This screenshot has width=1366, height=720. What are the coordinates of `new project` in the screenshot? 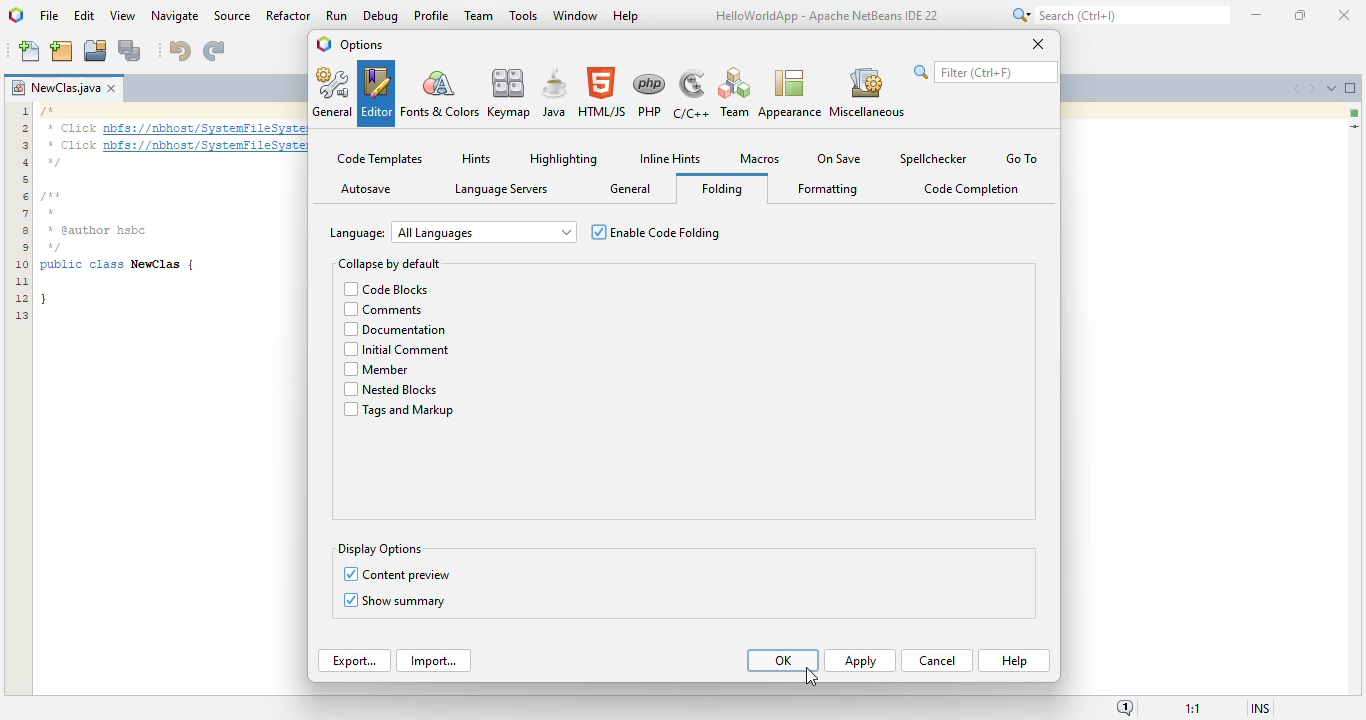 It's located at (62, 50).